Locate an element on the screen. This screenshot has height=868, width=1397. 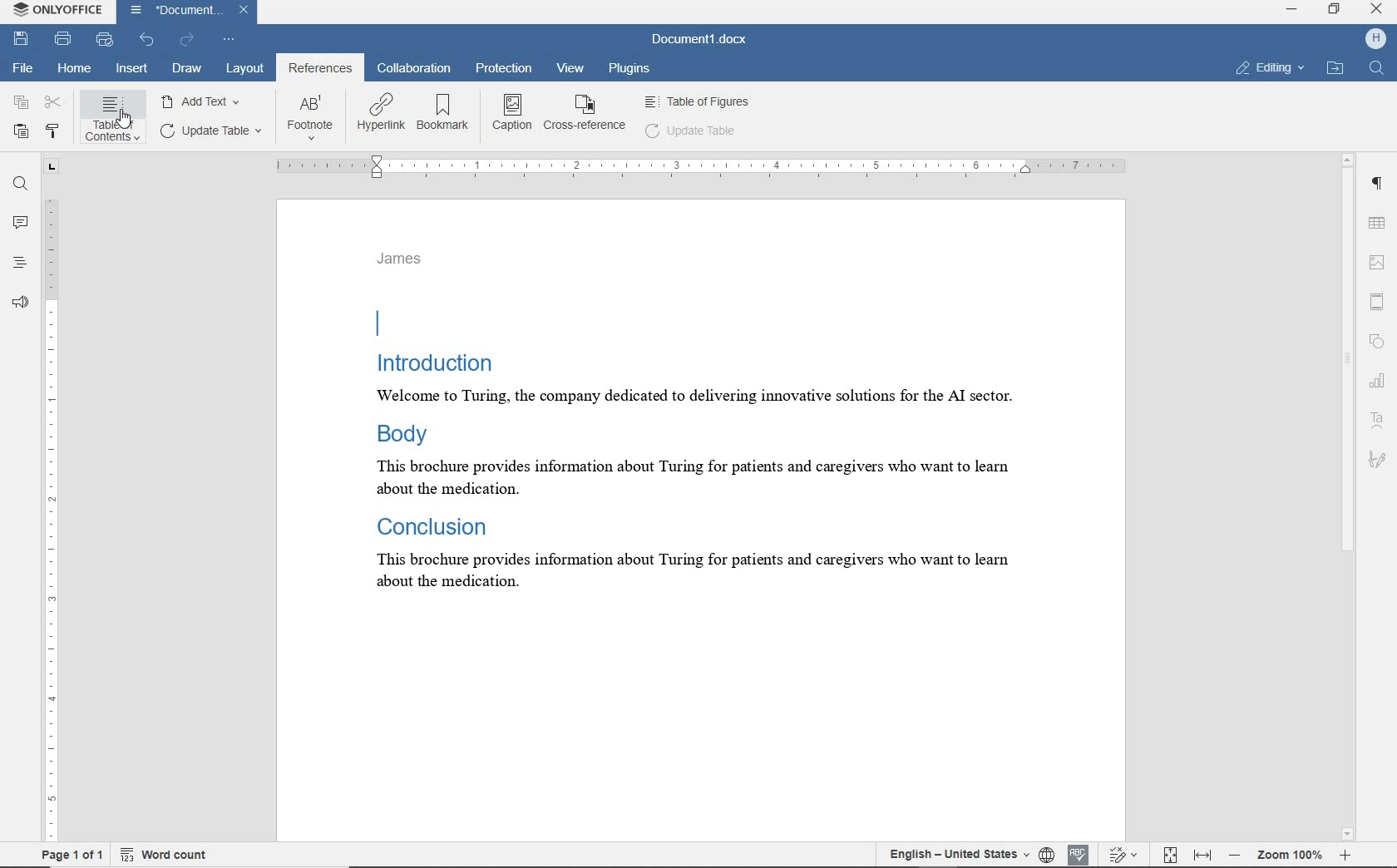
insert is located at coordinates (131, 68).